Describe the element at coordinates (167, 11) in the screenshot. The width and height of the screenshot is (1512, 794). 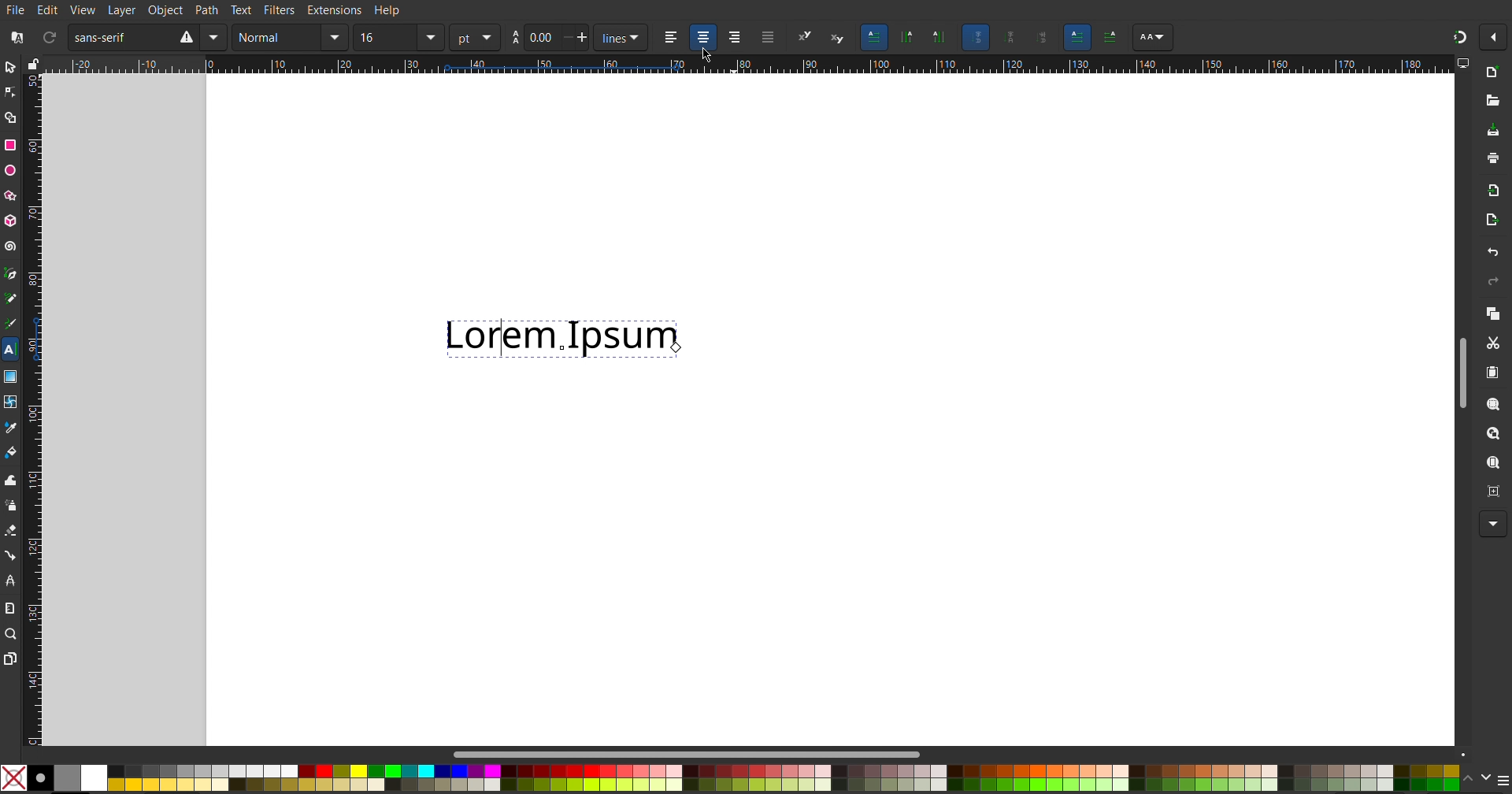
I see `Object` at that location.